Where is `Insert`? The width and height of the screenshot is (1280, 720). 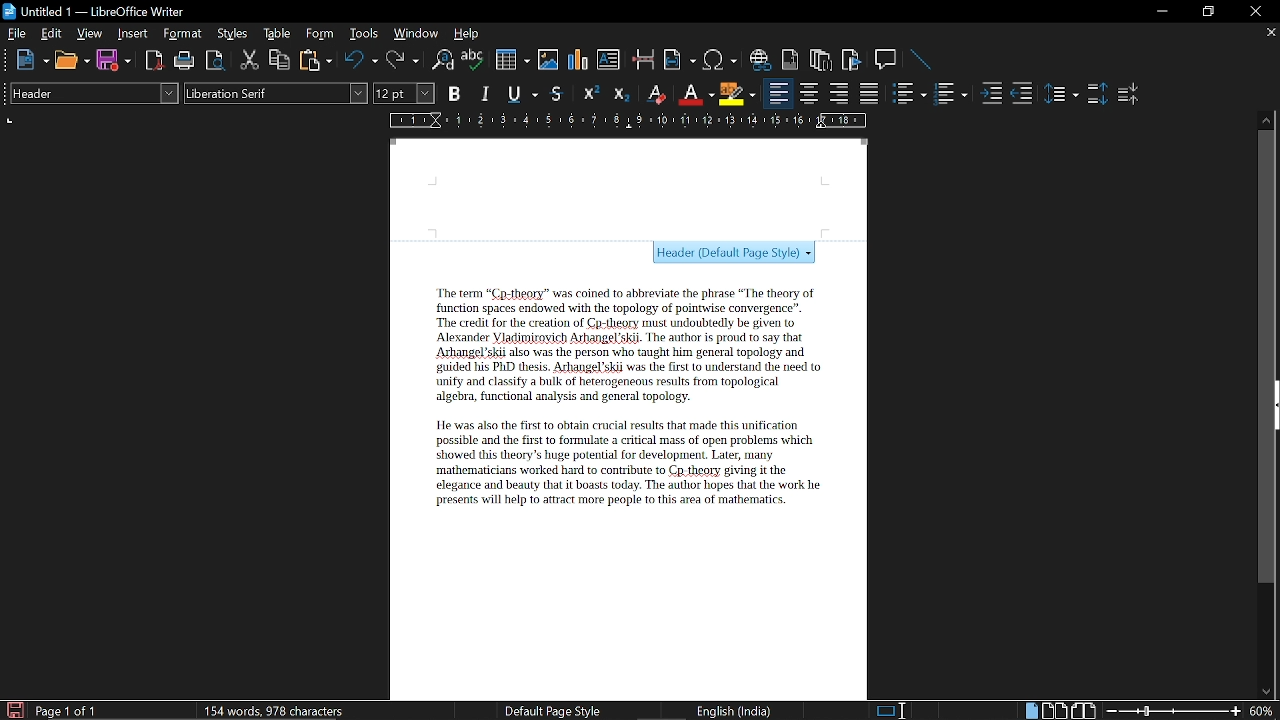
Insert is located at coordinates (137, 33).